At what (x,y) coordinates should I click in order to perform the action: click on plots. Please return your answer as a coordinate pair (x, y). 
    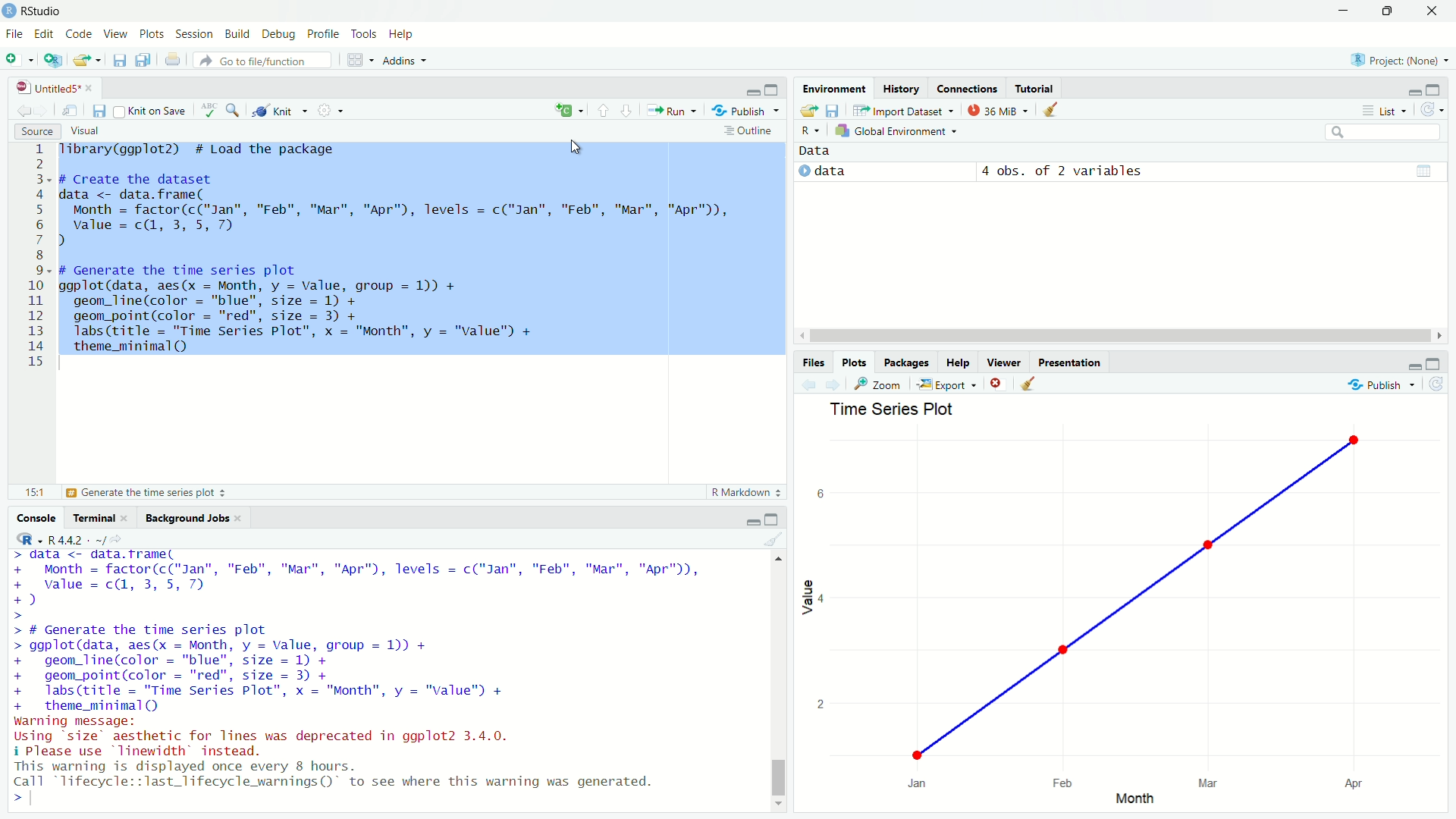
    Looking at the image, I should click on (855, 362).